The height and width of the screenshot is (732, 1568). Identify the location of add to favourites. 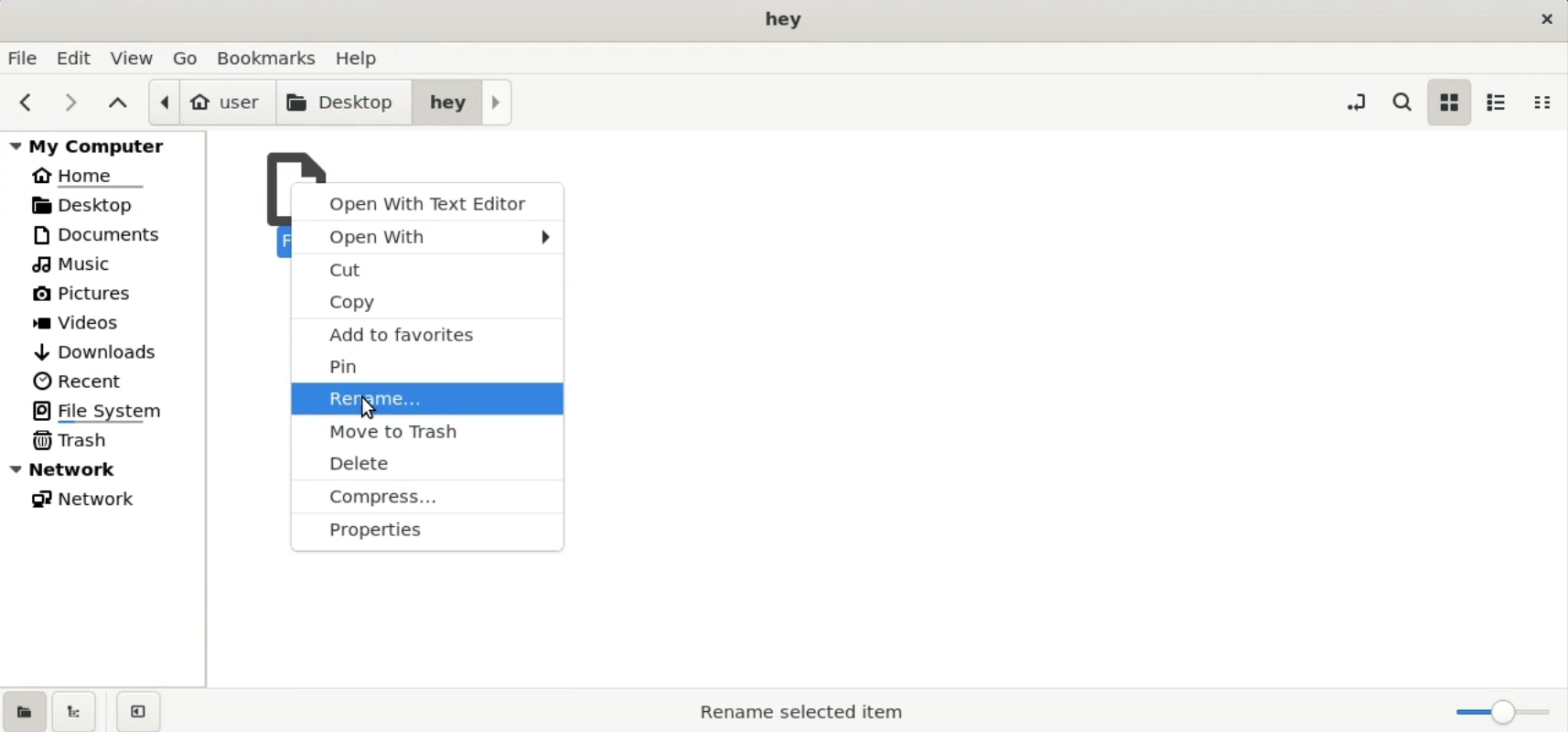
(428, 332).